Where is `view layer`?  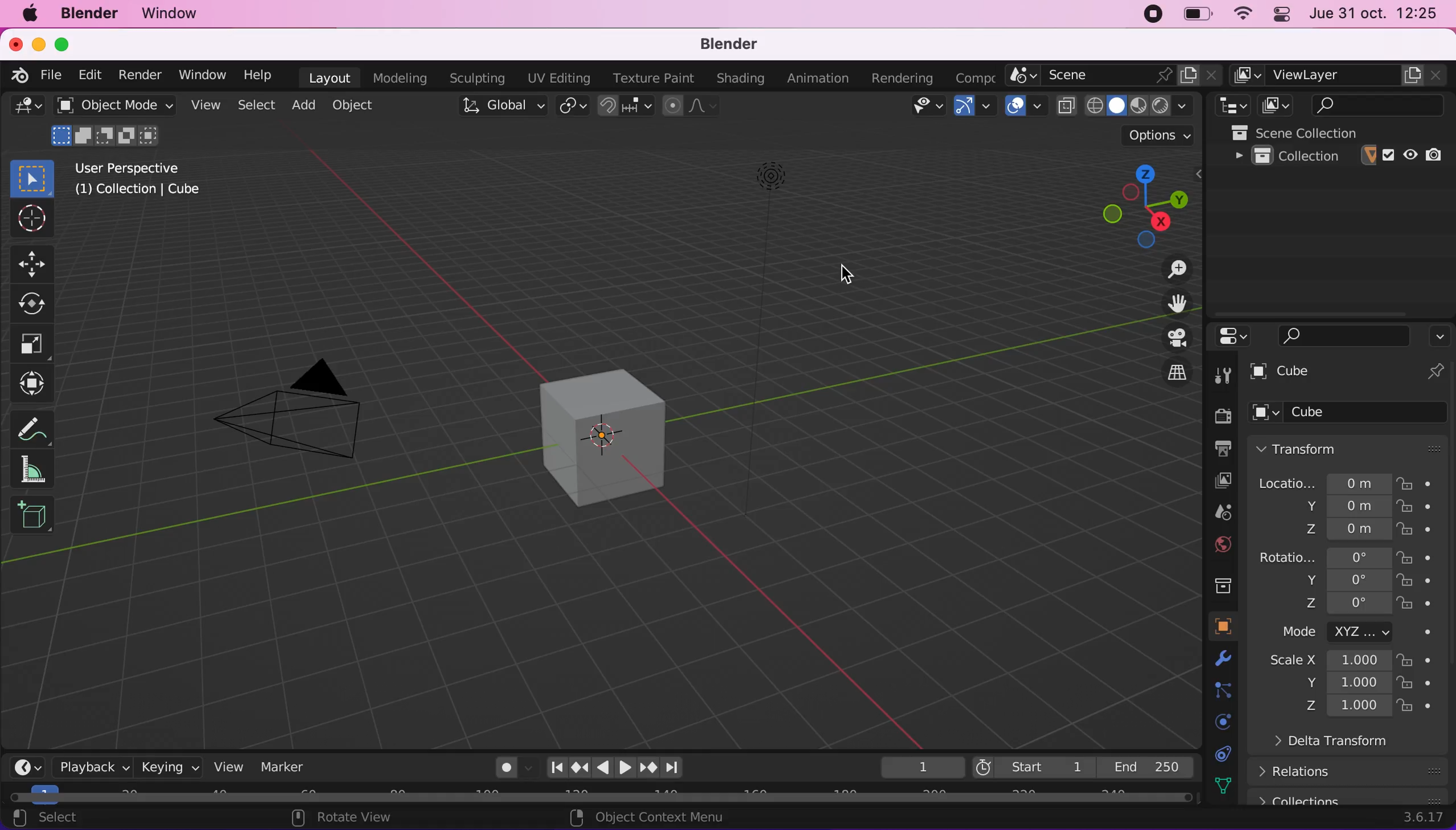
view layer is located at coordinates (1340, 76).